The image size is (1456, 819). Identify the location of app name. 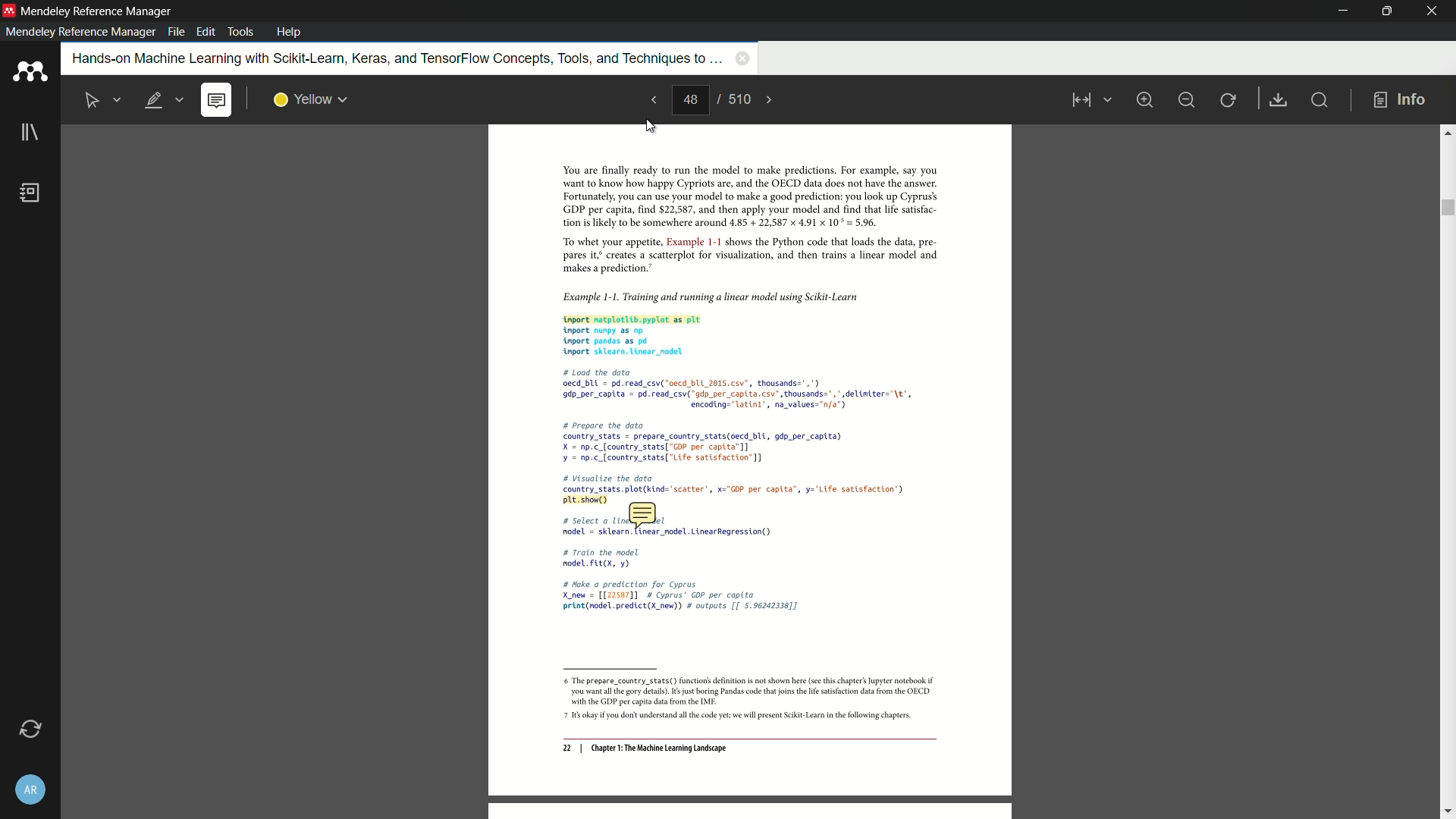
(99, 11).